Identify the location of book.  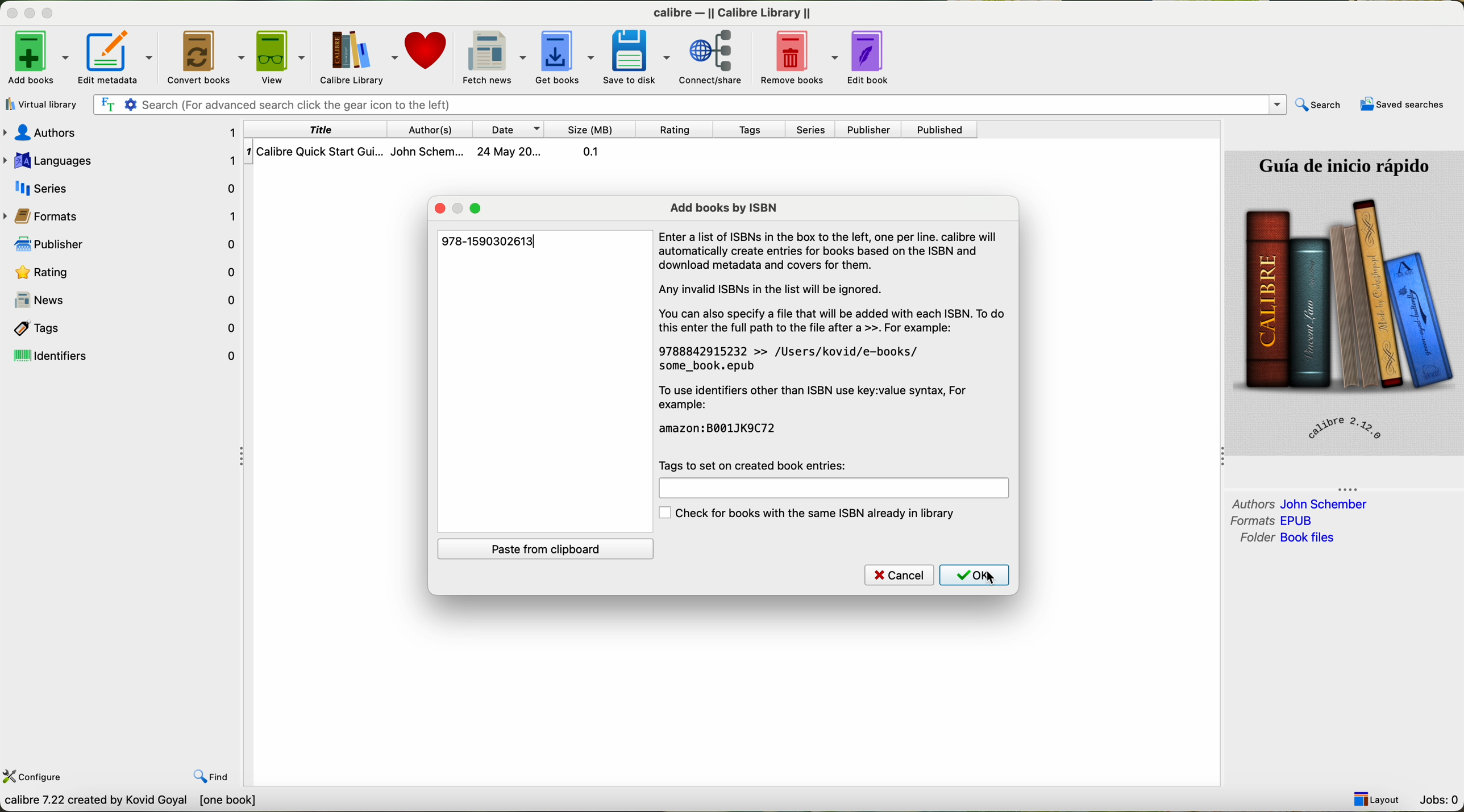
(443, 152).